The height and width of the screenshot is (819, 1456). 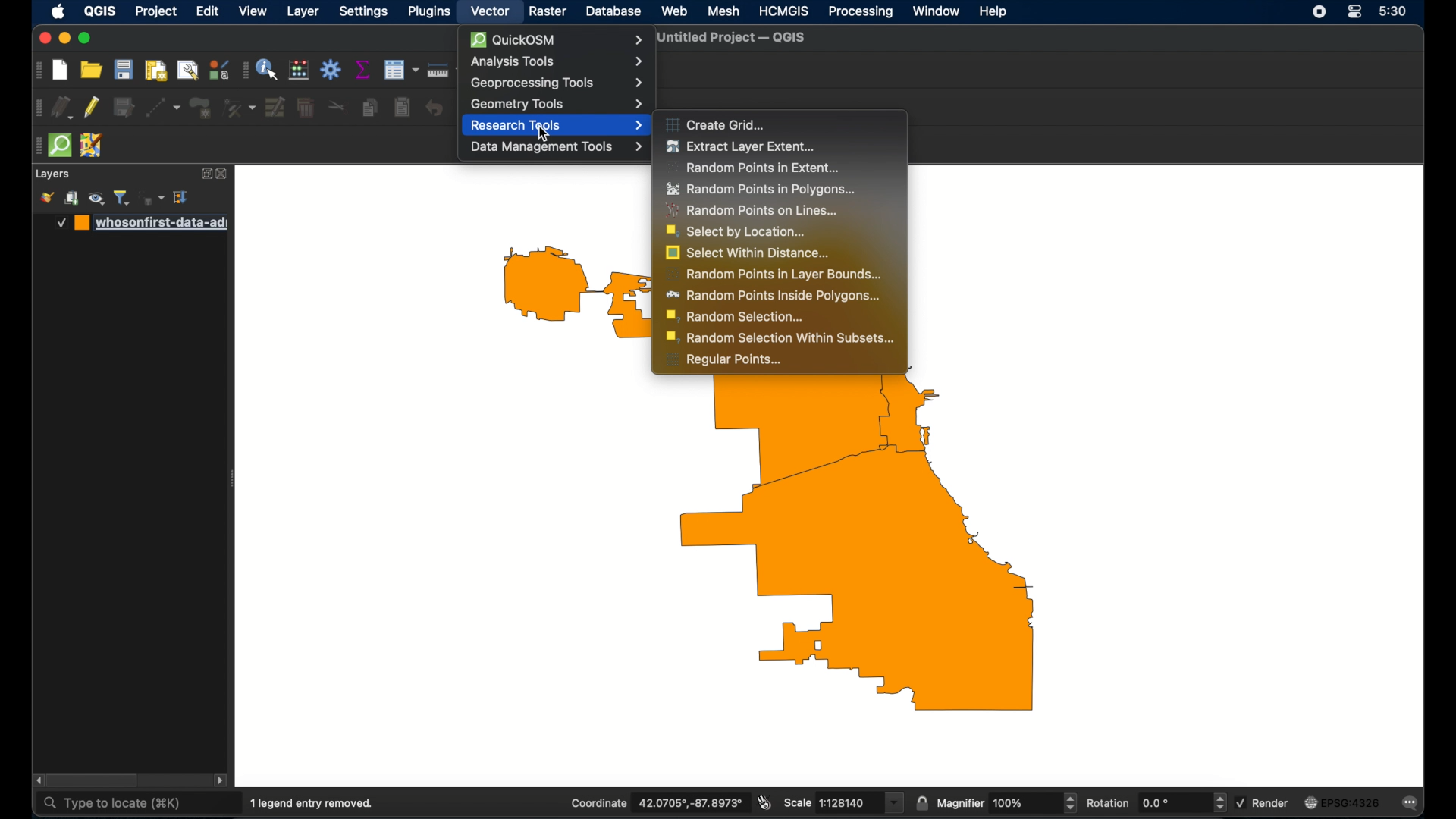 What do you see at coordinates (783, 11) in the screenshot?
I see `HCMGIS` at bounding box center [783, 11].